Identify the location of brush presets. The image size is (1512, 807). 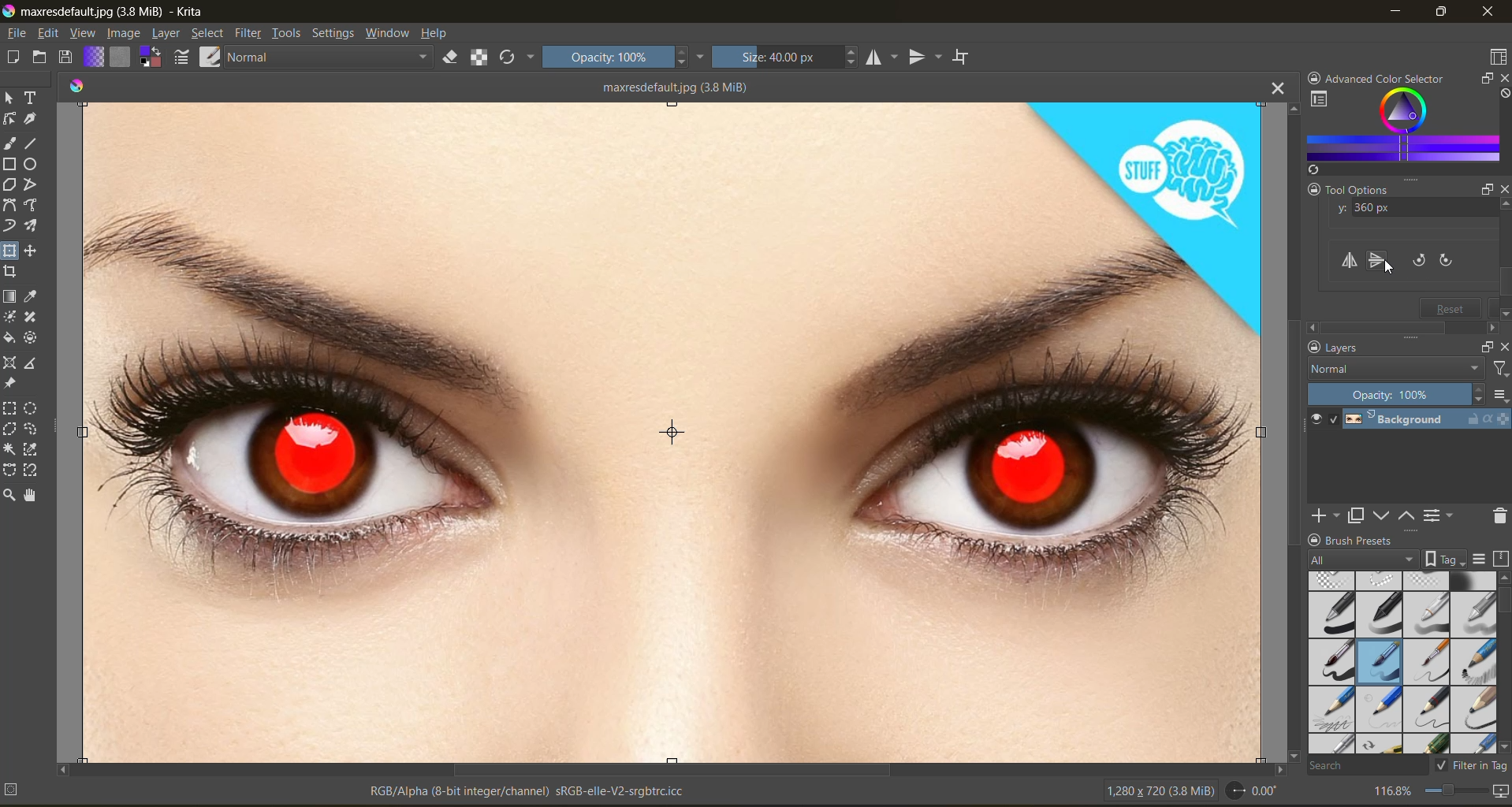
(1402, 663).